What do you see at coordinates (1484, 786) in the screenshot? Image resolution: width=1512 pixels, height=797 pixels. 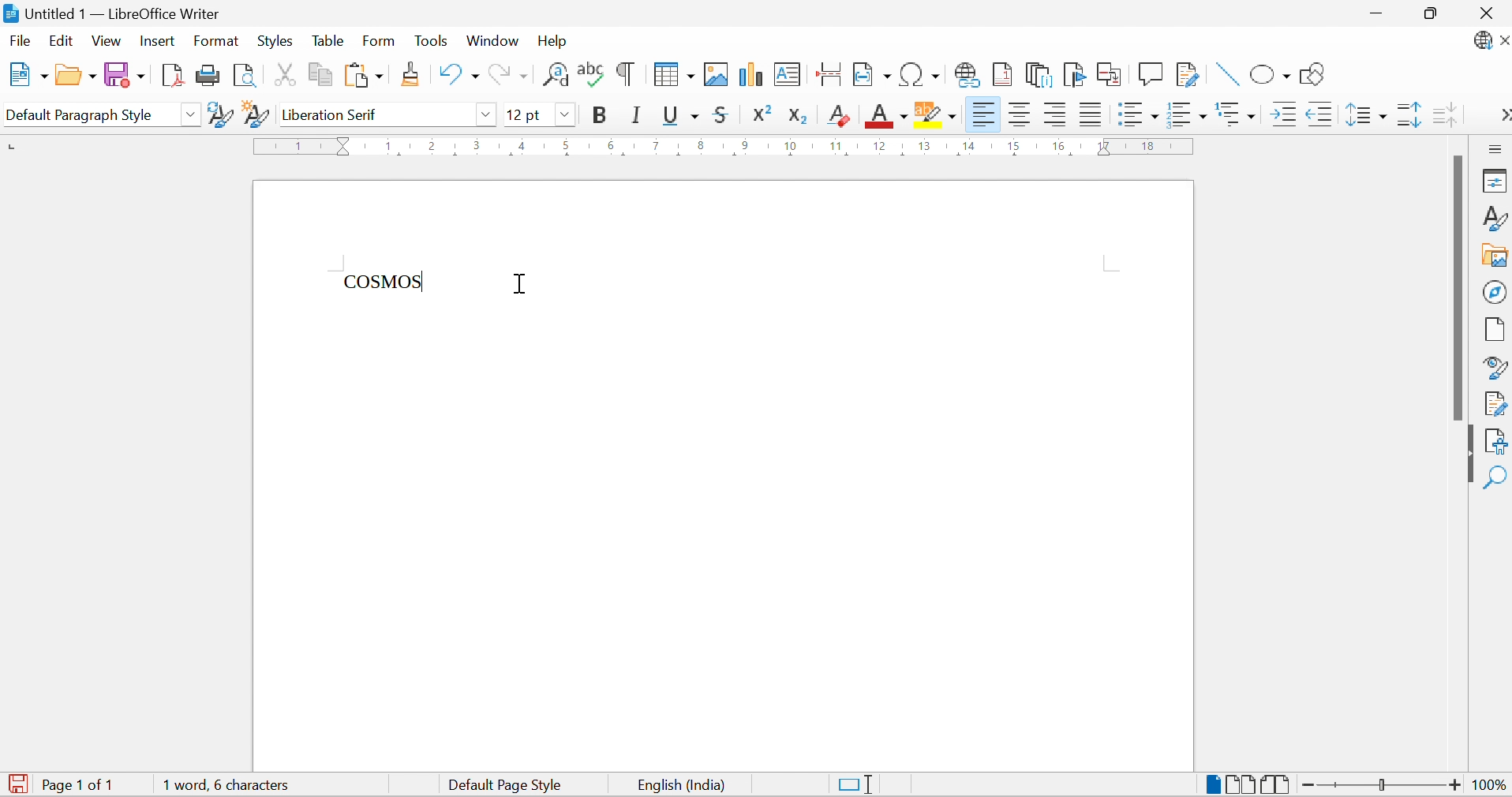 I see `100%` at bounding box center [1484, 786].